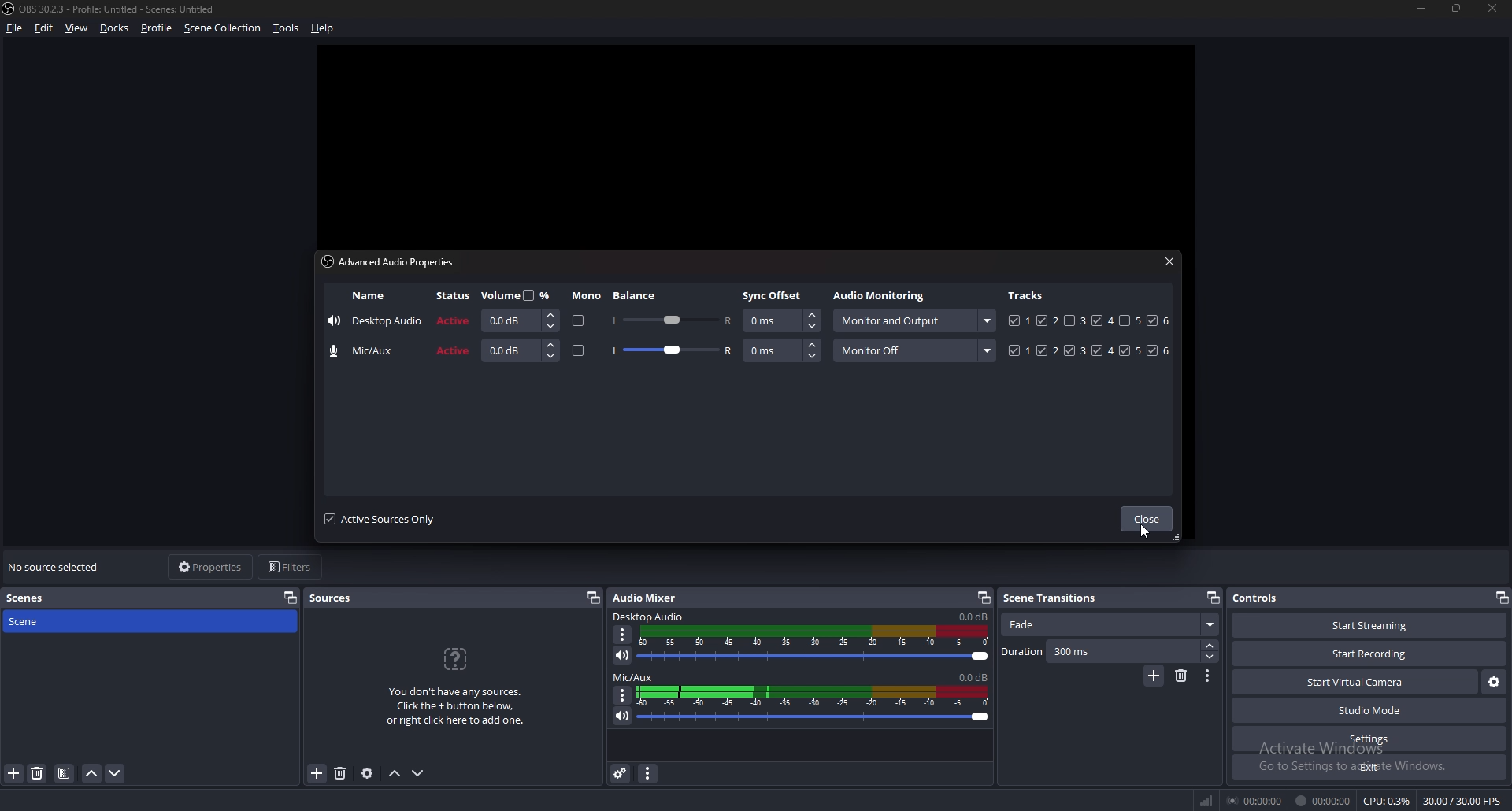  I want to click on exit, so click(1369, 768).